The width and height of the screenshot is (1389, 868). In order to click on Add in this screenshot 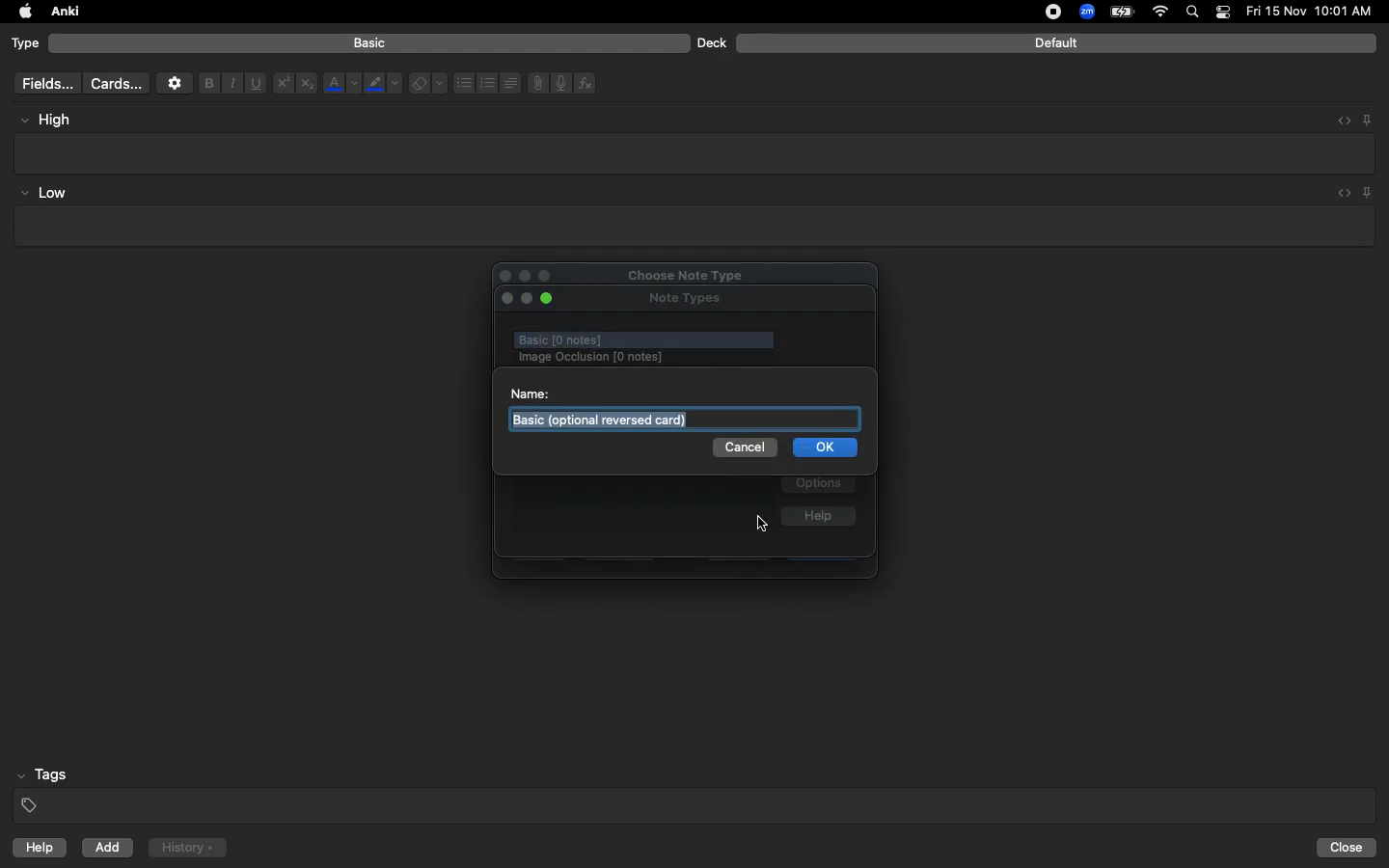, I will do `click(109, 848)`.